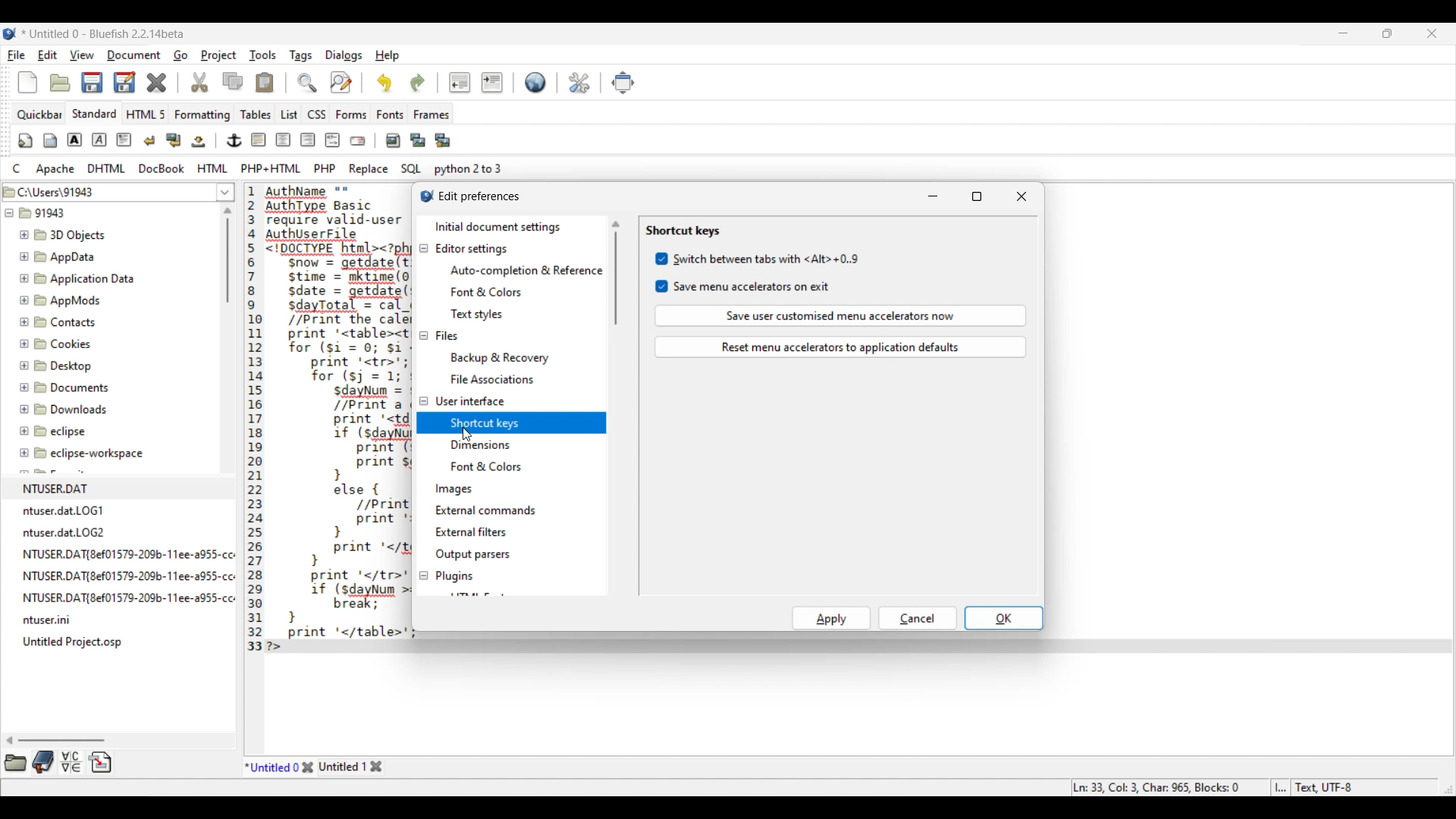 The height and width of the screenshot is (819, 1456). Describe the element at coordinates (45, 215) in the screenshot. I see `91943` at that location.